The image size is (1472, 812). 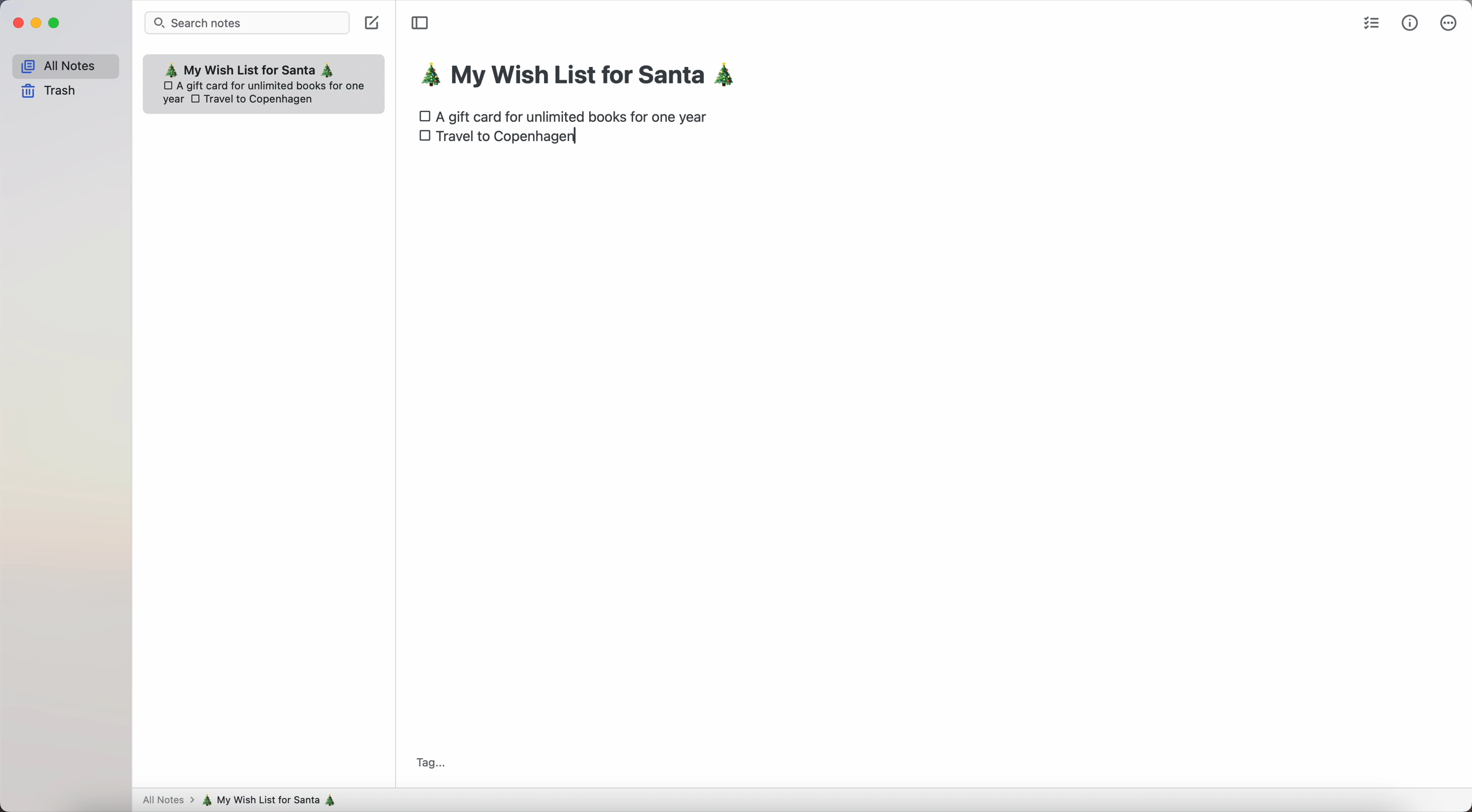 I want to click on Tag..., so click(x=431, y=765).